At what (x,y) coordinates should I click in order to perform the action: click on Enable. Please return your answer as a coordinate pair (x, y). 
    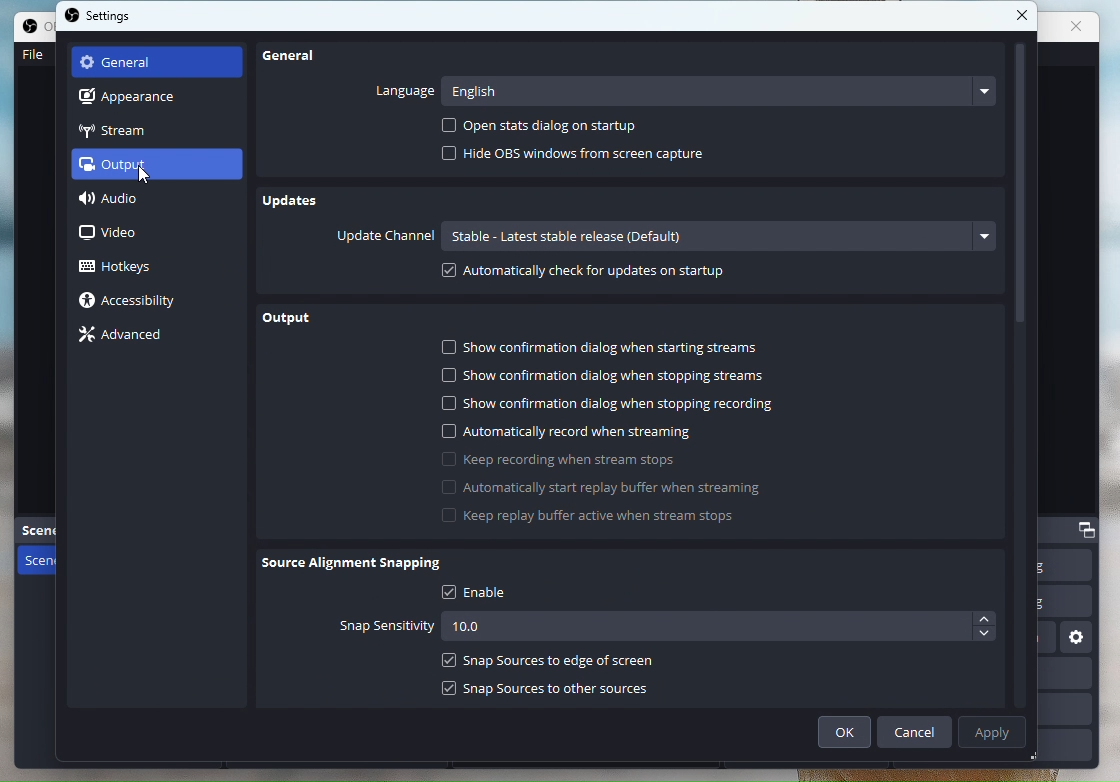
    Looking at the image, I should click on (512, 594).